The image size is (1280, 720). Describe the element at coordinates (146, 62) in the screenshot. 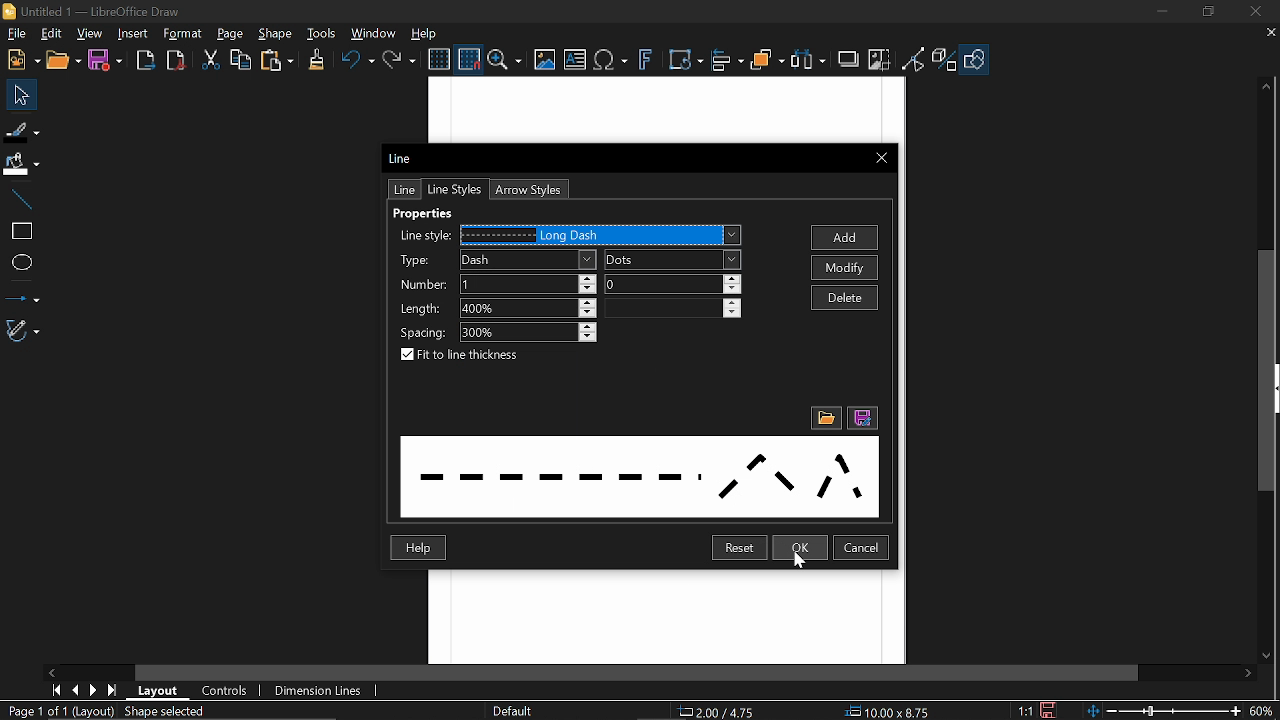

I see `Export` at that location.